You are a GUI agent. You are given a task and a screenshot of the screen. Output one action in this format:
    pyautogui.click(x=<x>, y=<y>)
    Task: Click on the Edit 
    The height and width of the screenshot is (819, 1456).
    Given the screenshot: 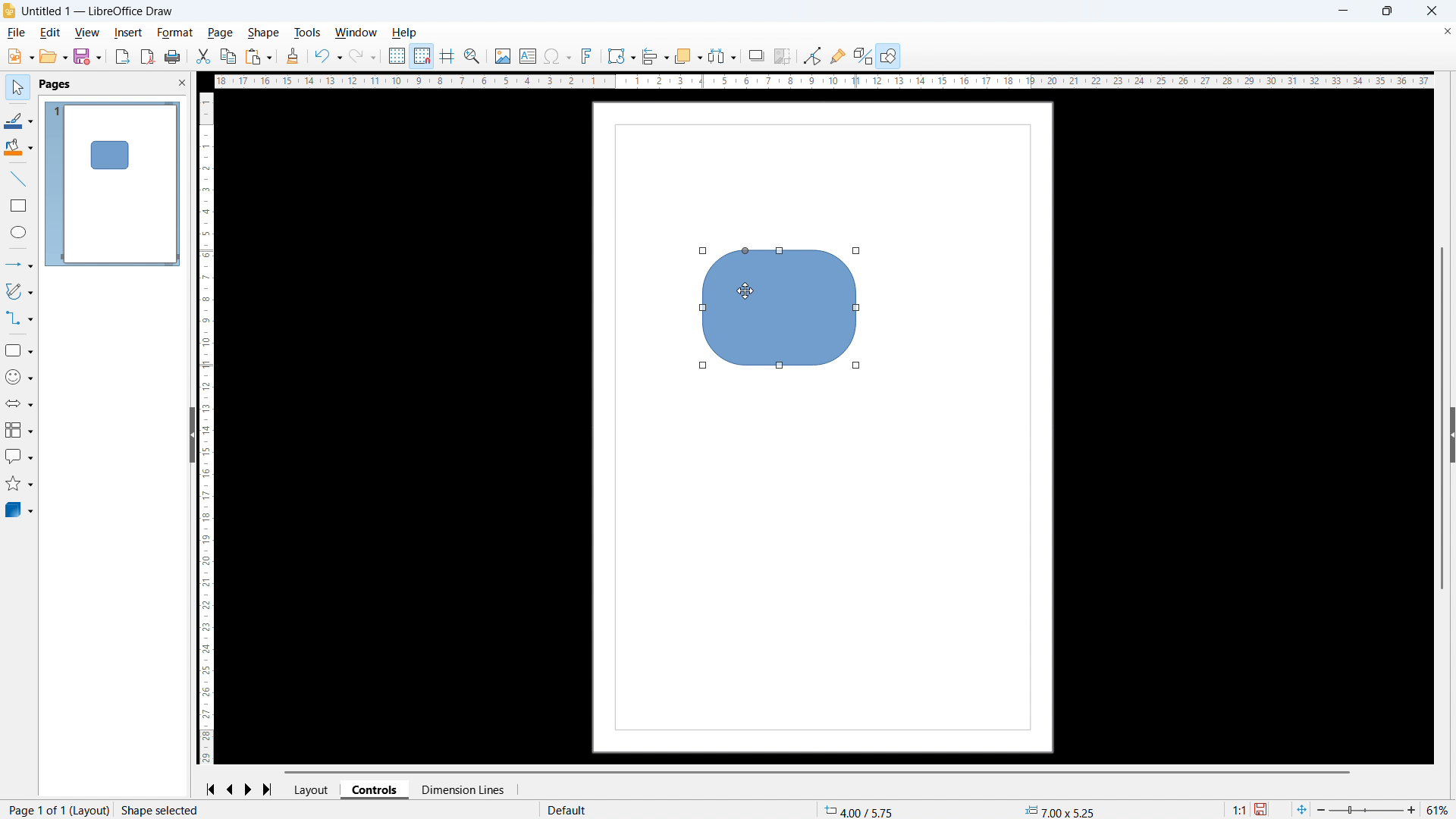 What is the action you would take?
    pyautogui.click(x=49, y=32)
    